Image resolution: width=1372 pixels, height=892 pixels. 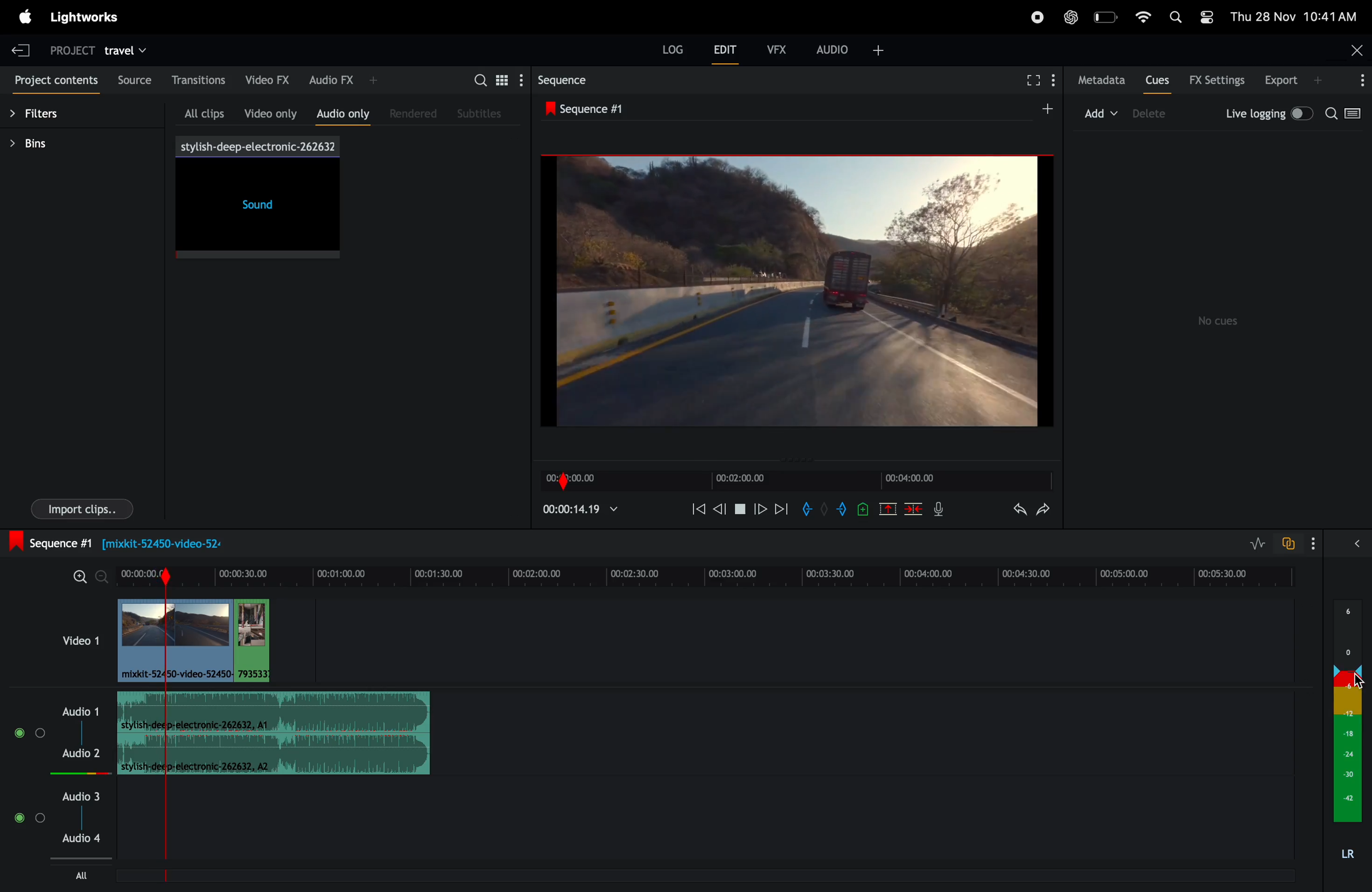 I want to click on add cue to position, so click(x=862, y=511).